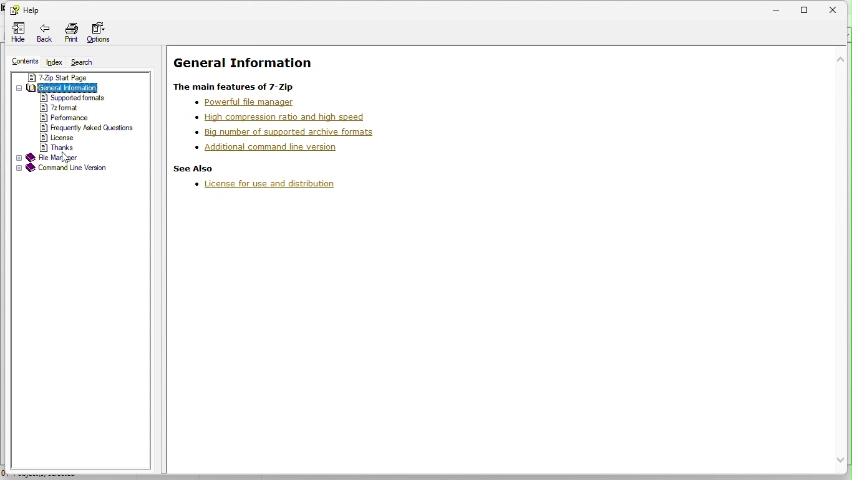  What do you see at coordinates (807, 7) in the screenshot?
I see `Restore` at bounding box center [807, 7].